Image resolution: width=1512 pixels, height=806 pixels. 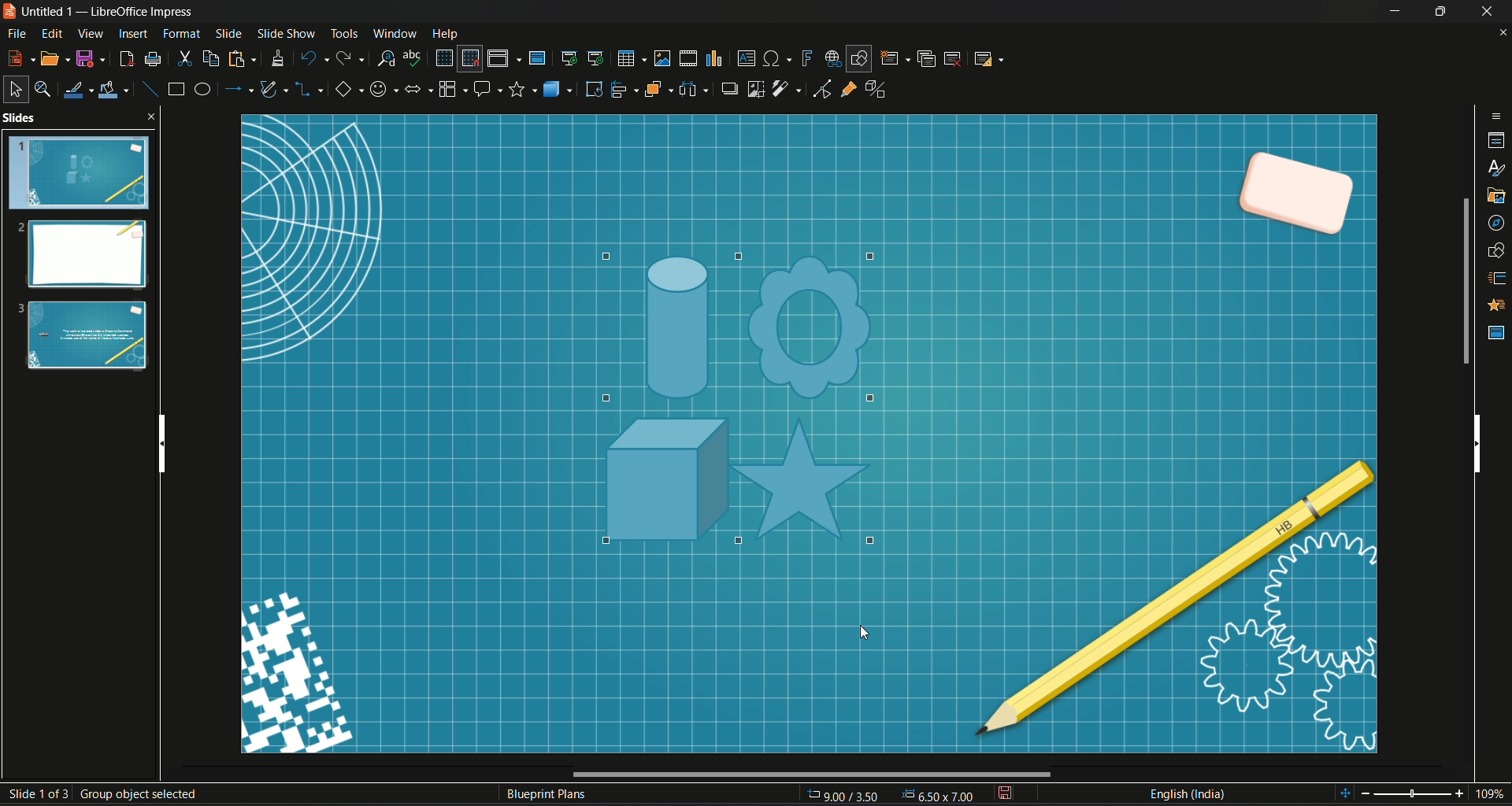 I want to click on export, so click(x=124, y=59).